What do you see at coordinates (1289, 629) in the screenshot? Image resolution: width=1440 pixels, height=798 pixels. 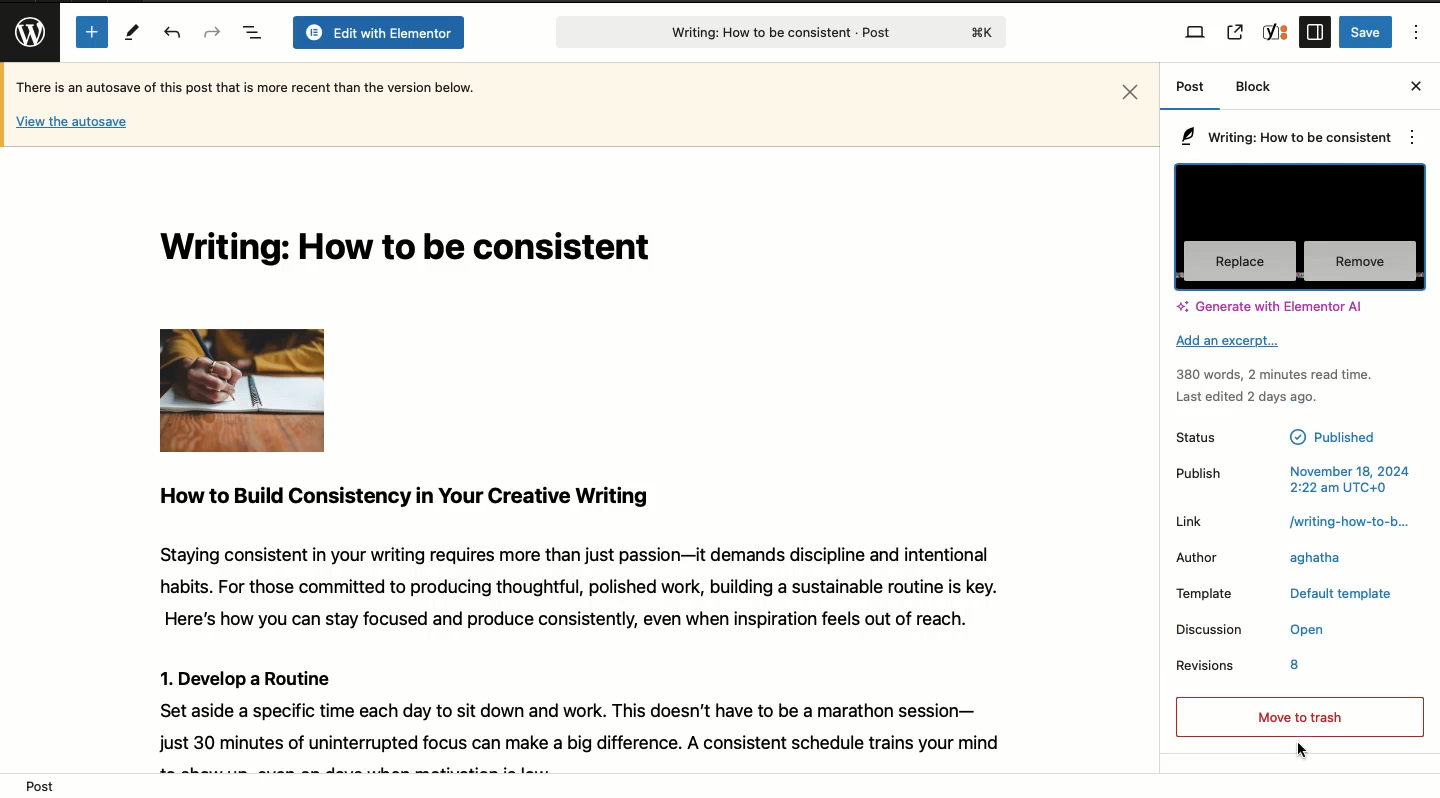 I see `Discussion Open` at bounding box center [1289, 629].